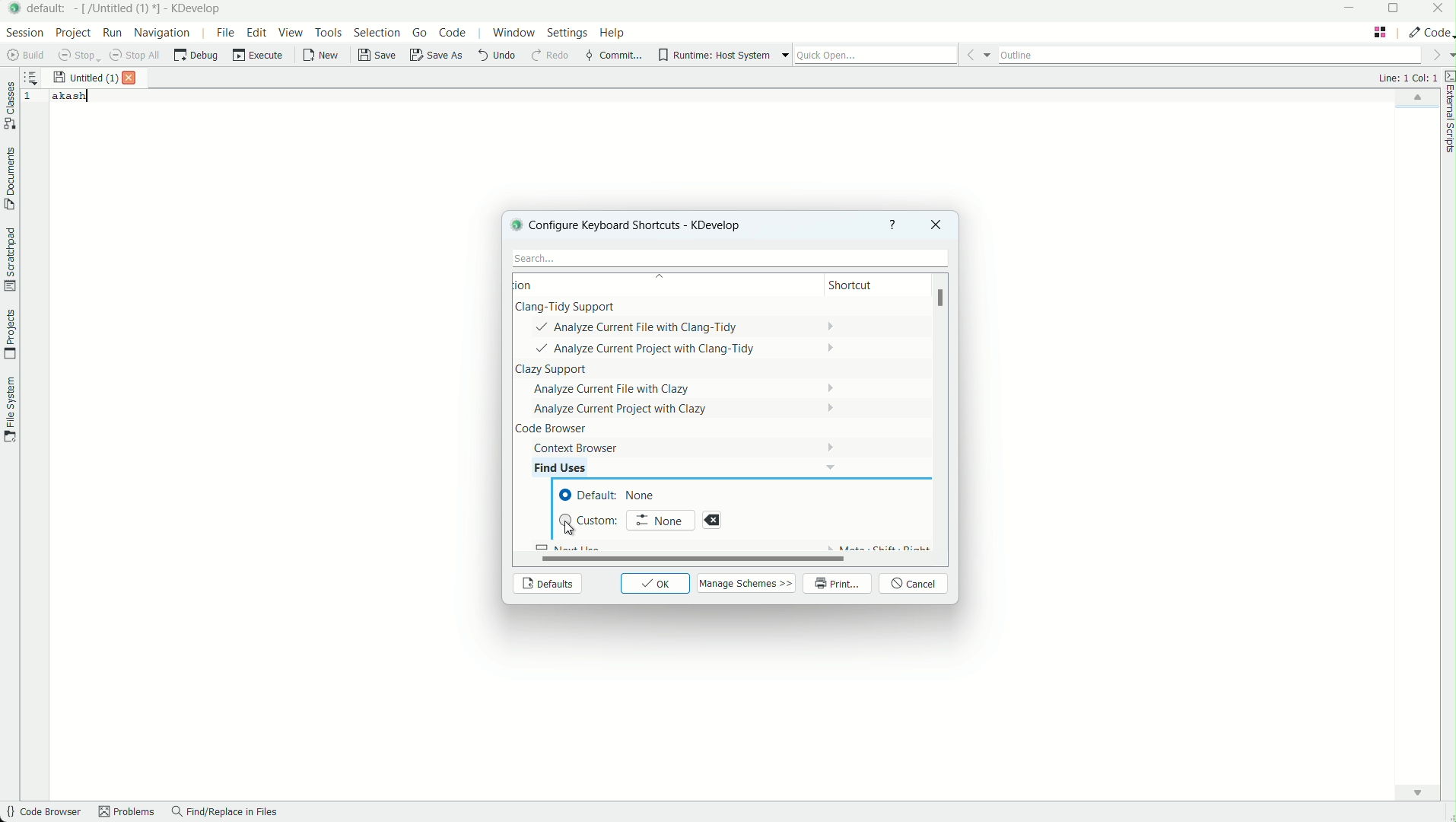  What do you see at coordinates (133, 78) in the screenshot?
I see `close file` at bounding box center [133, 78].